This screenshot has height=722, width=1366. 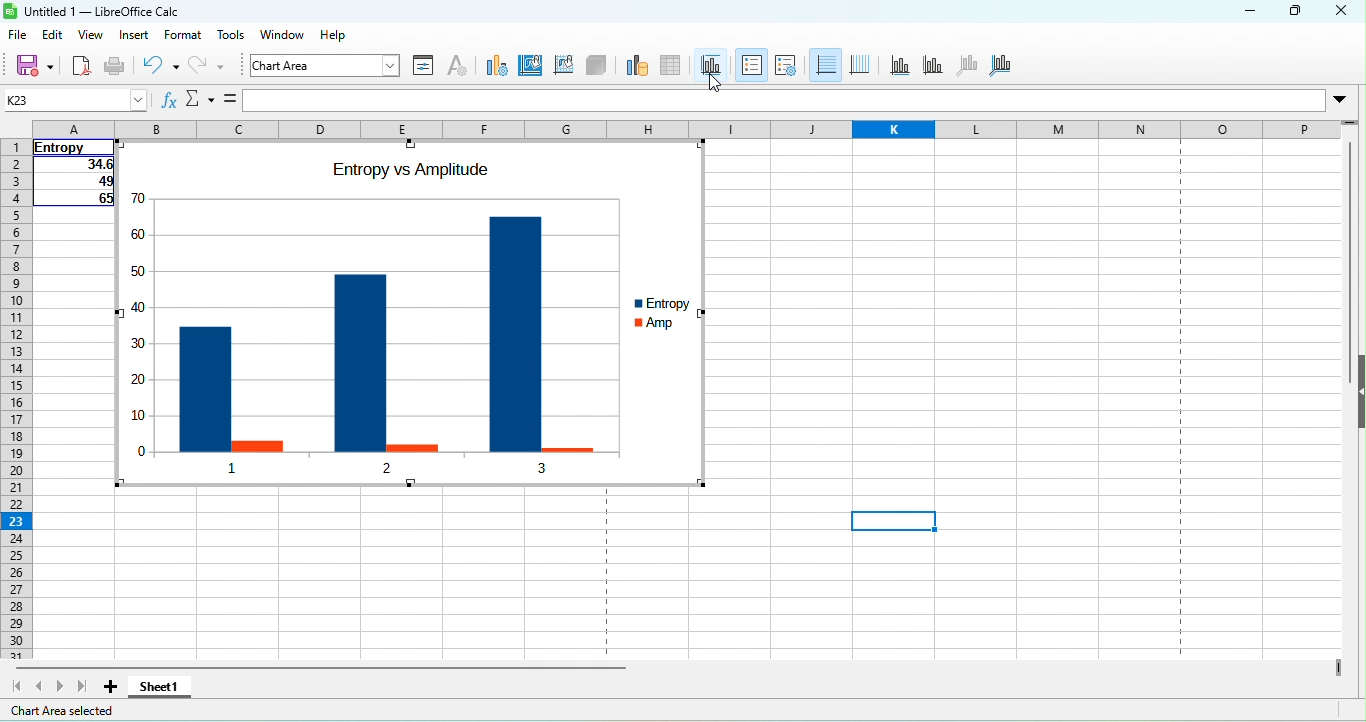 I want to click on amp 3, so click(x=568, y=444).